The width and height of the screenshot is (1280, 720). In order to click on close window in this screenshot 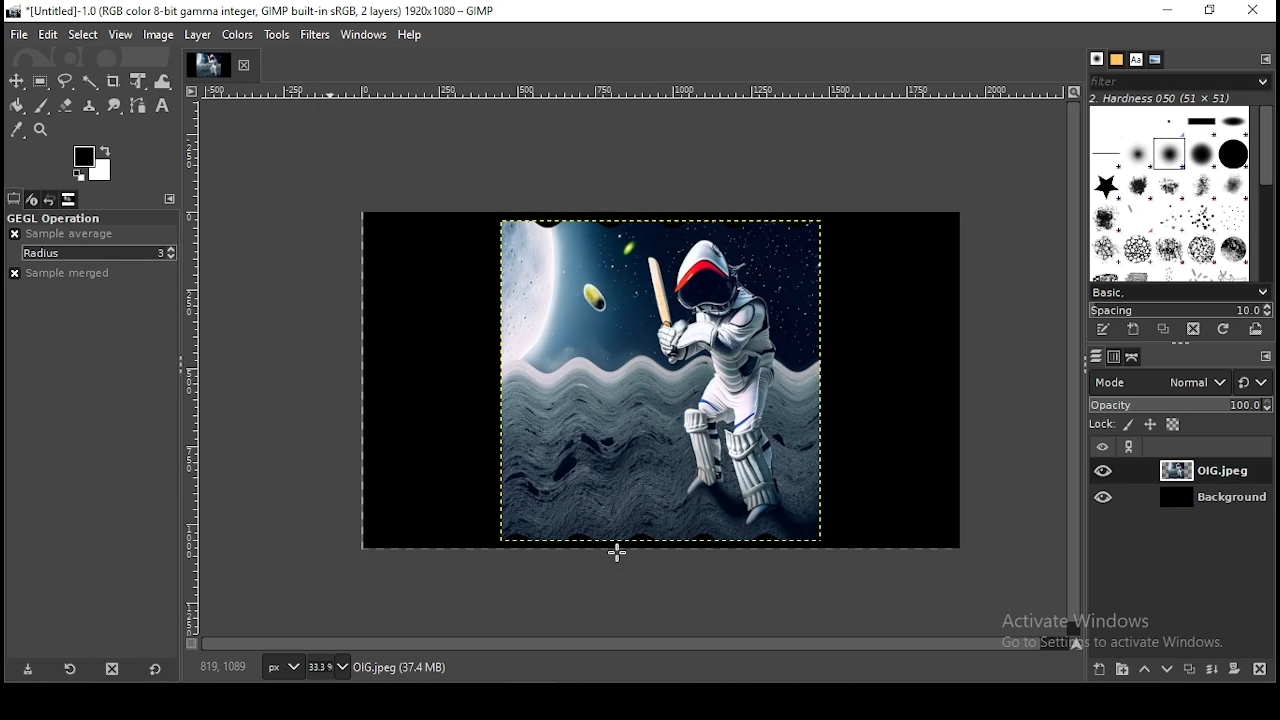, I will do `click(1255, 11)`.